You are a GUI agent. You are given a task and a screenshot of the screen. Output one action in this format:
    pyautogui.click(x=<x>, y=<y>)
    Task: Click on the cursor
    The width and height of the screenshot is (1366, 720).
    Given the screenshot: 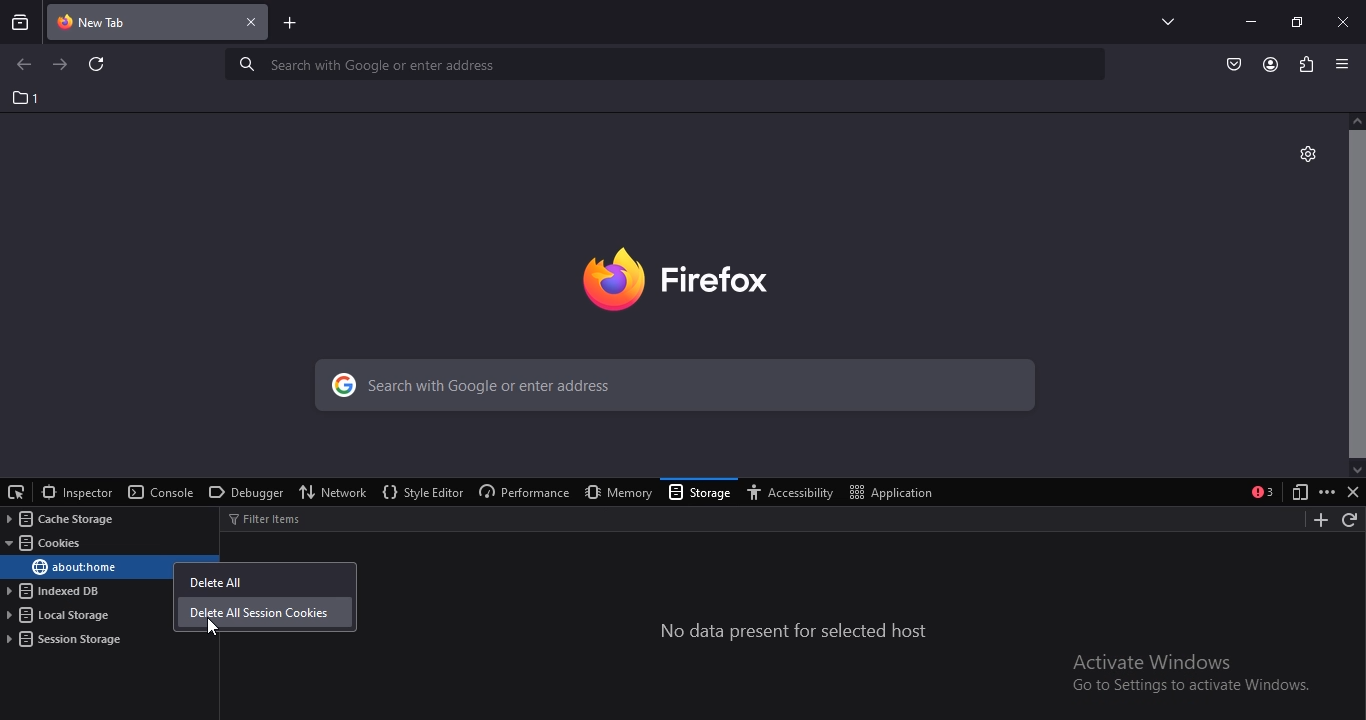 What is the action you would take?
    pyautogui.click(x=213, y=629)
    